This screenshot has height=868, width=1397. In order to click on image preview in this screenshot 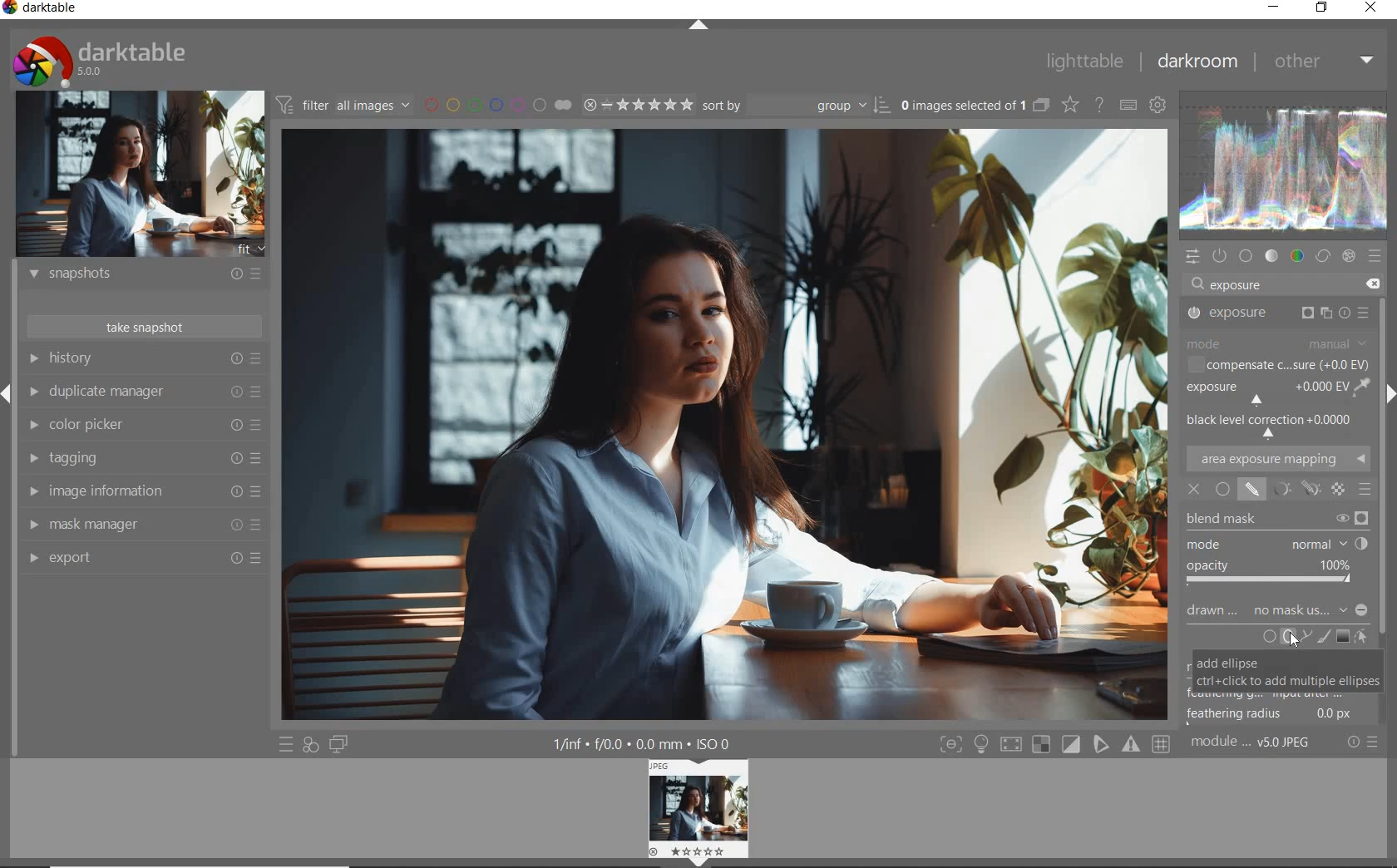, I will do `click(141, 176)`.